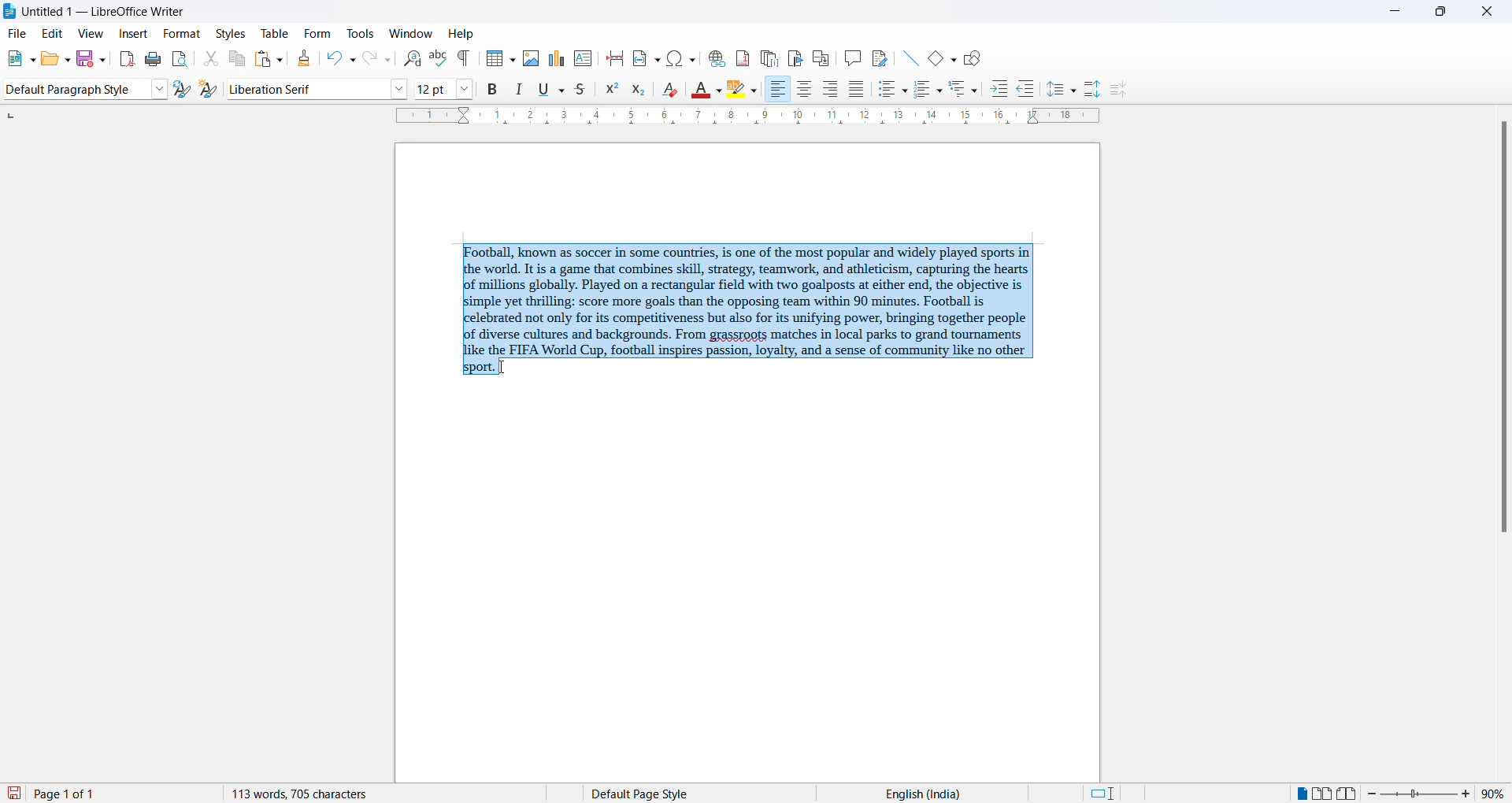  What do you see at coordinates (339, 794) in the screenshot?
I see `word and character count` at bounding box center [339, 794].